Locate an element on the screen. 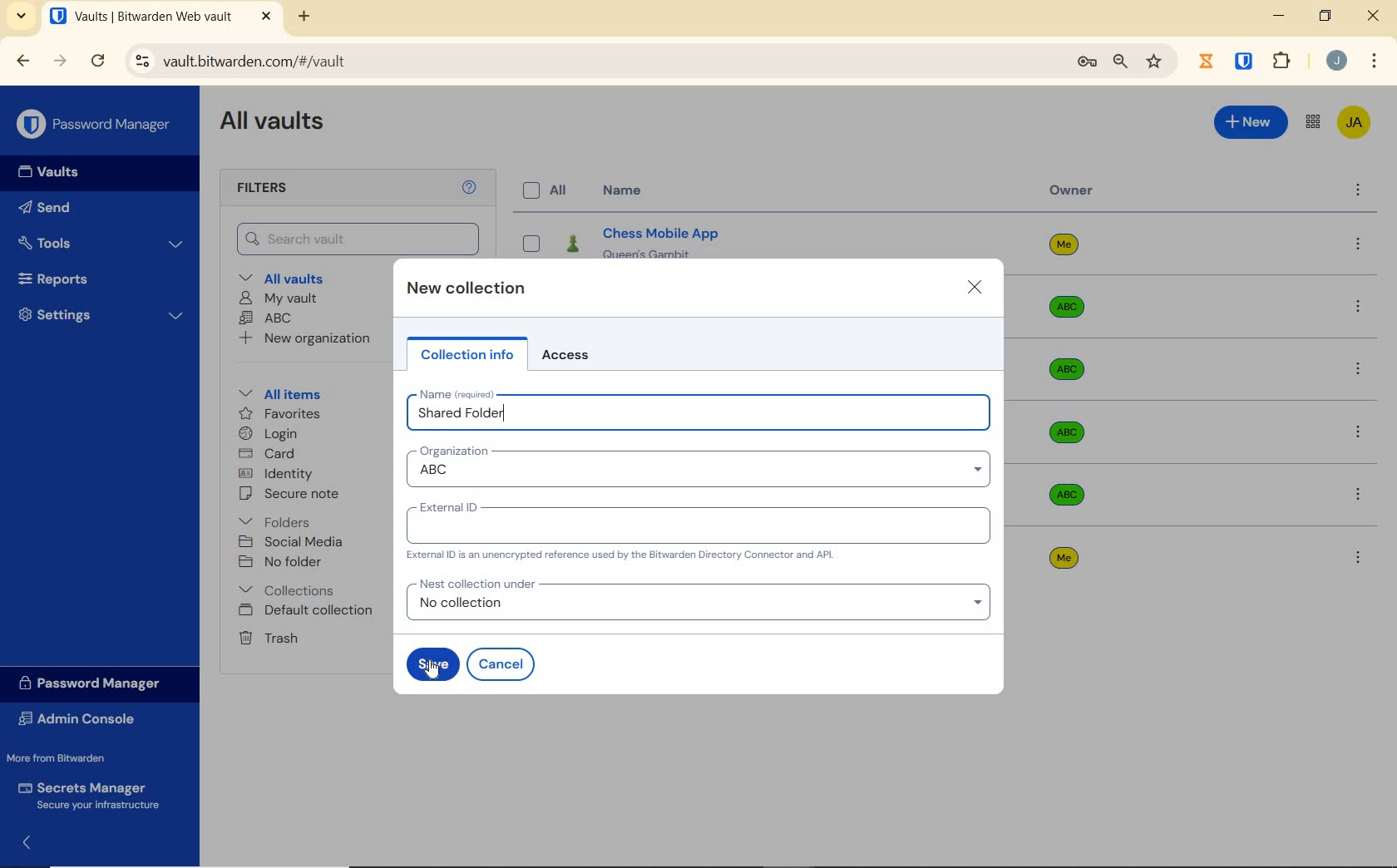  new is located at coordinates (1251, 122).